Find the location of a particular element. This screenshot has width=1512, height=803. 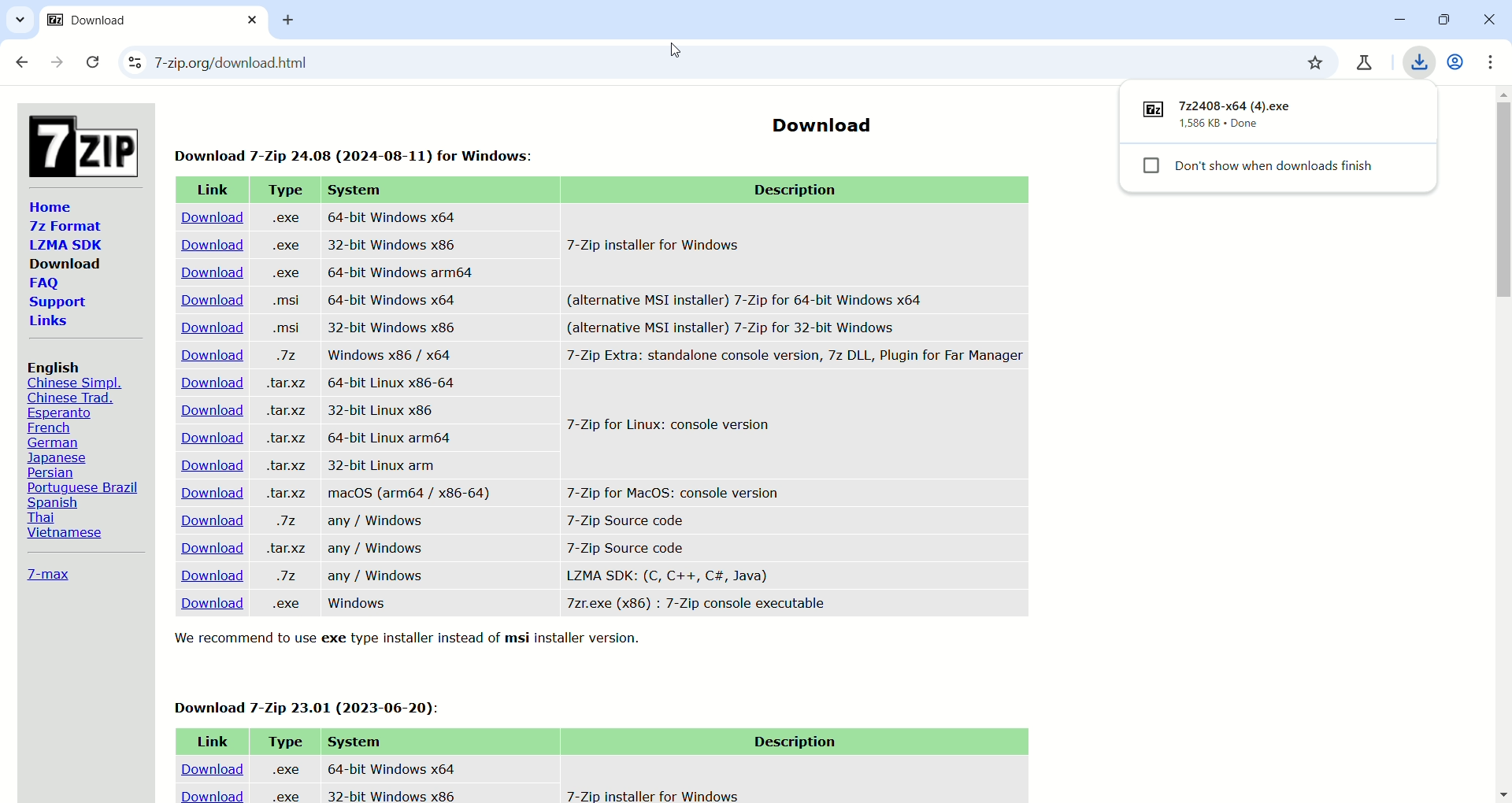

don't show download finish is located at coordinates (1282, 170).